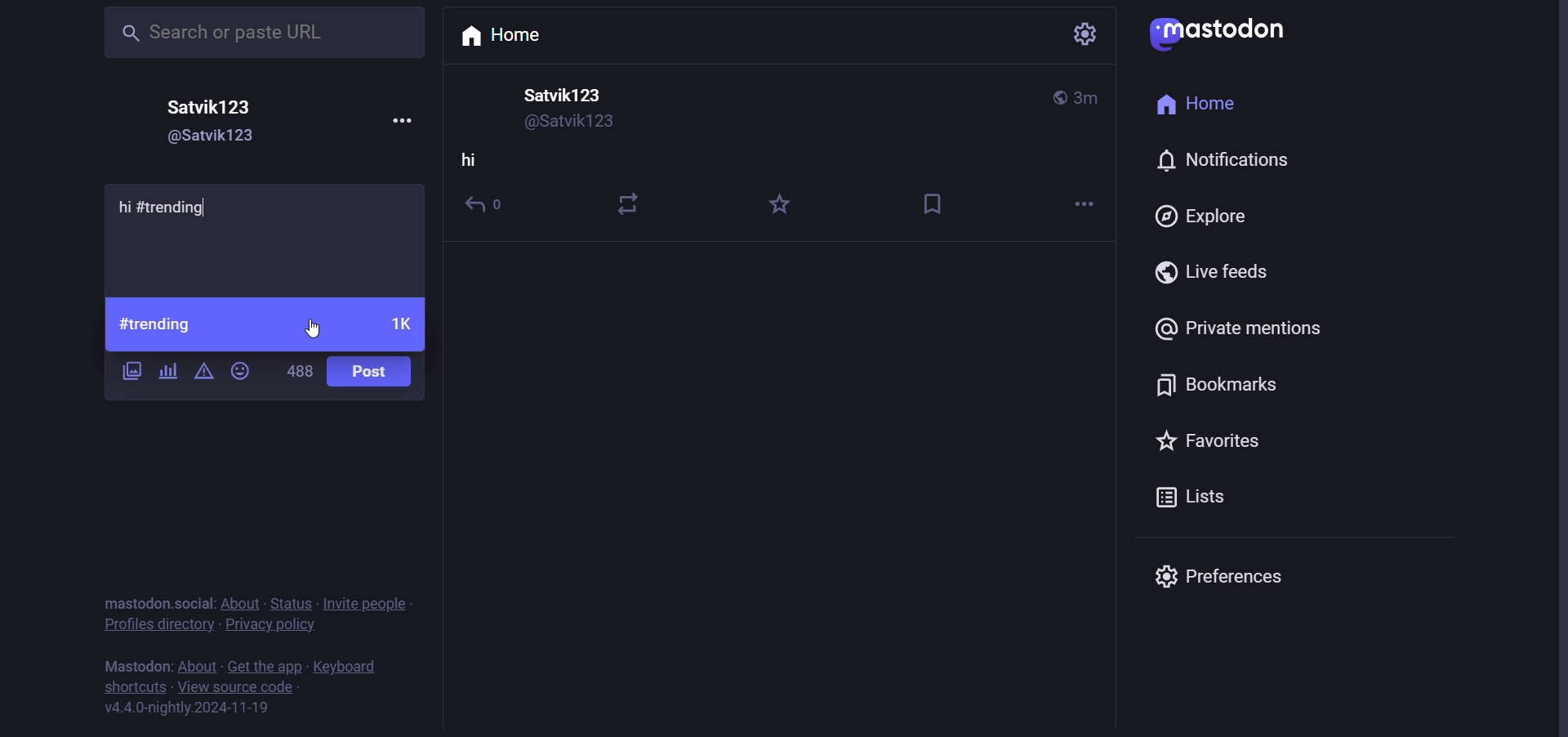  Describe the element at coordinates (1187, 501) in the screenshot. I see `lists` at that location.